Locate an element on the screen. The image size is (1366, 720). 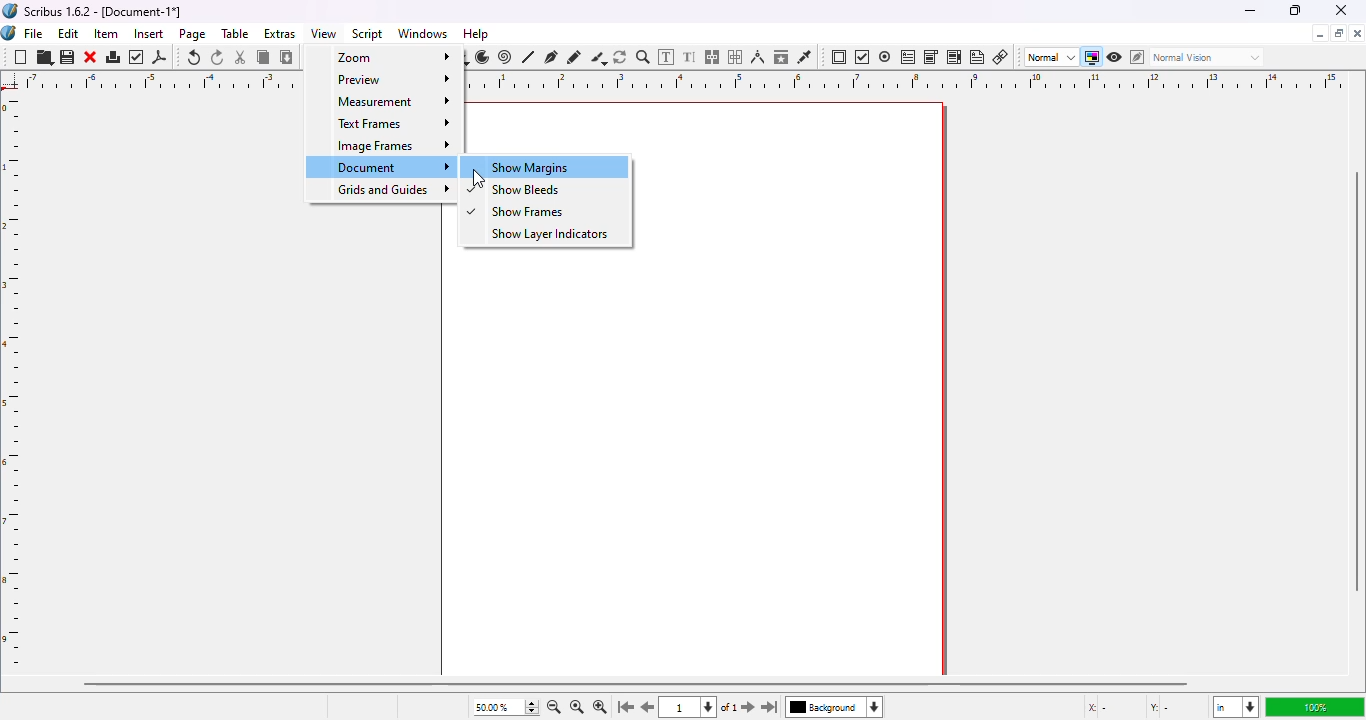
page is located at coordinates (194, 34).